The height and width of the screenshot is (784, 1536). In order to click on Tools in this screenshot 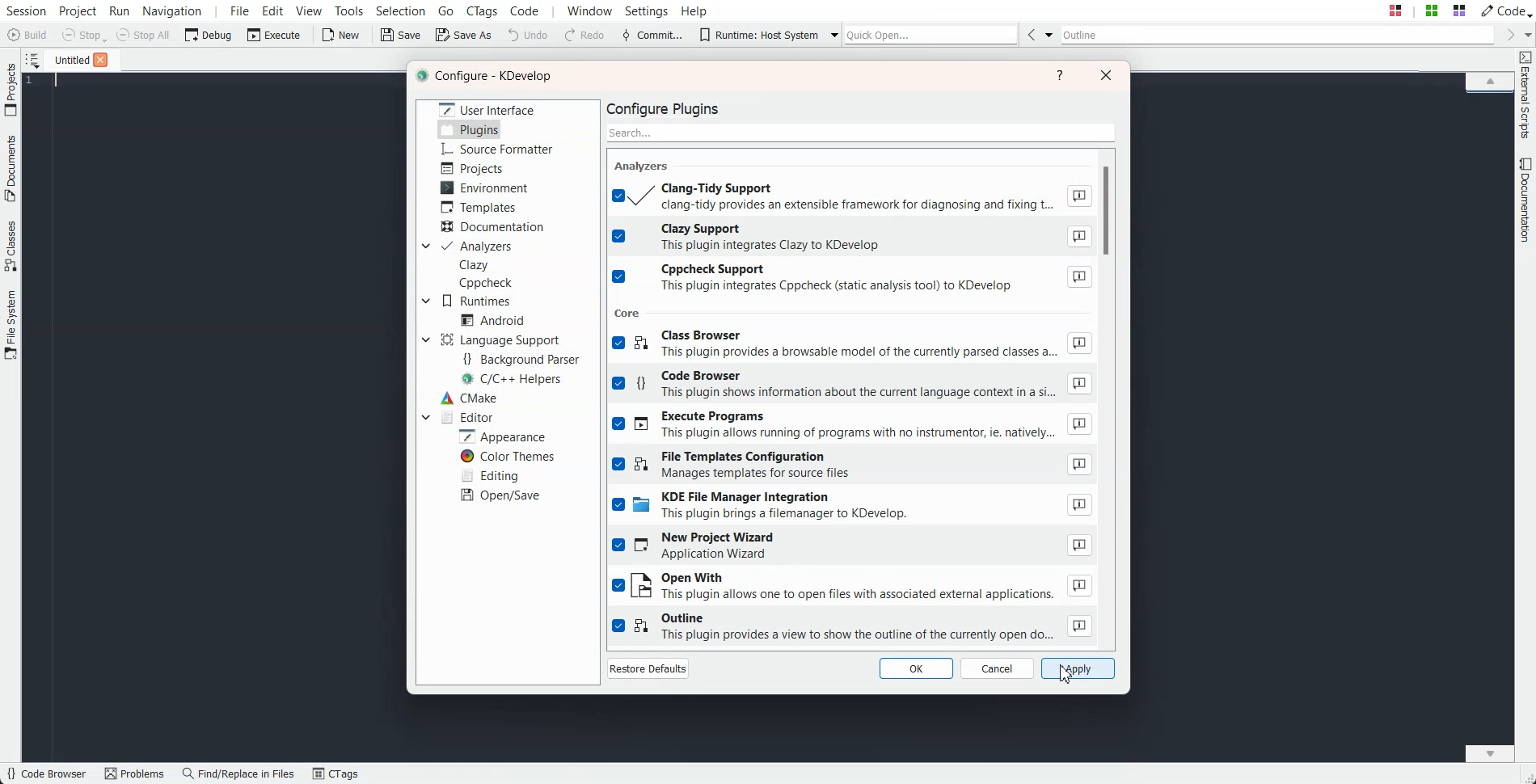, I will do `click(350, 11)`.